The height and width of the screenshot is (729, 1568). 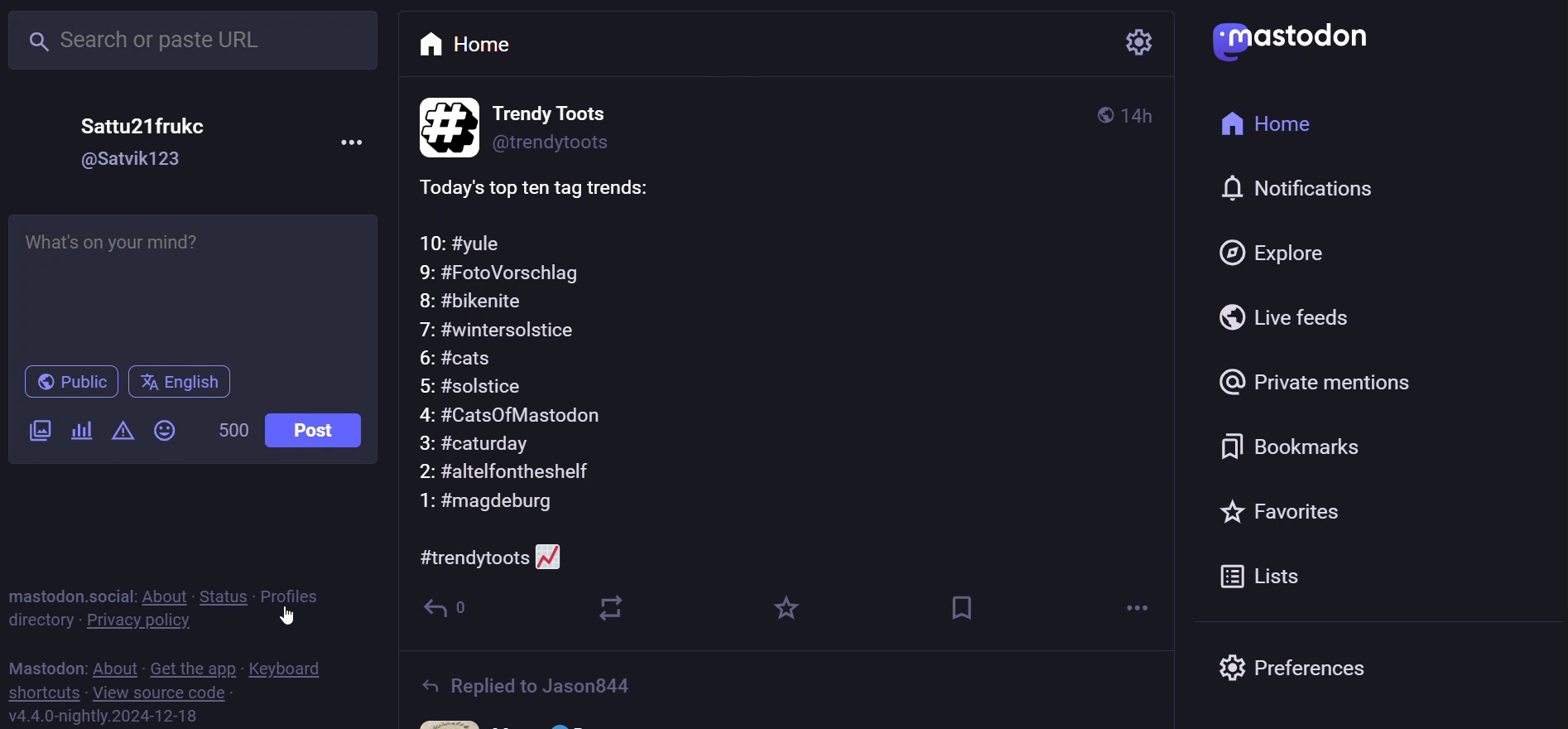 What do you see at coordinates (41, 620) in the screenshot?
I see `directory` at bounding box center [41, 620].